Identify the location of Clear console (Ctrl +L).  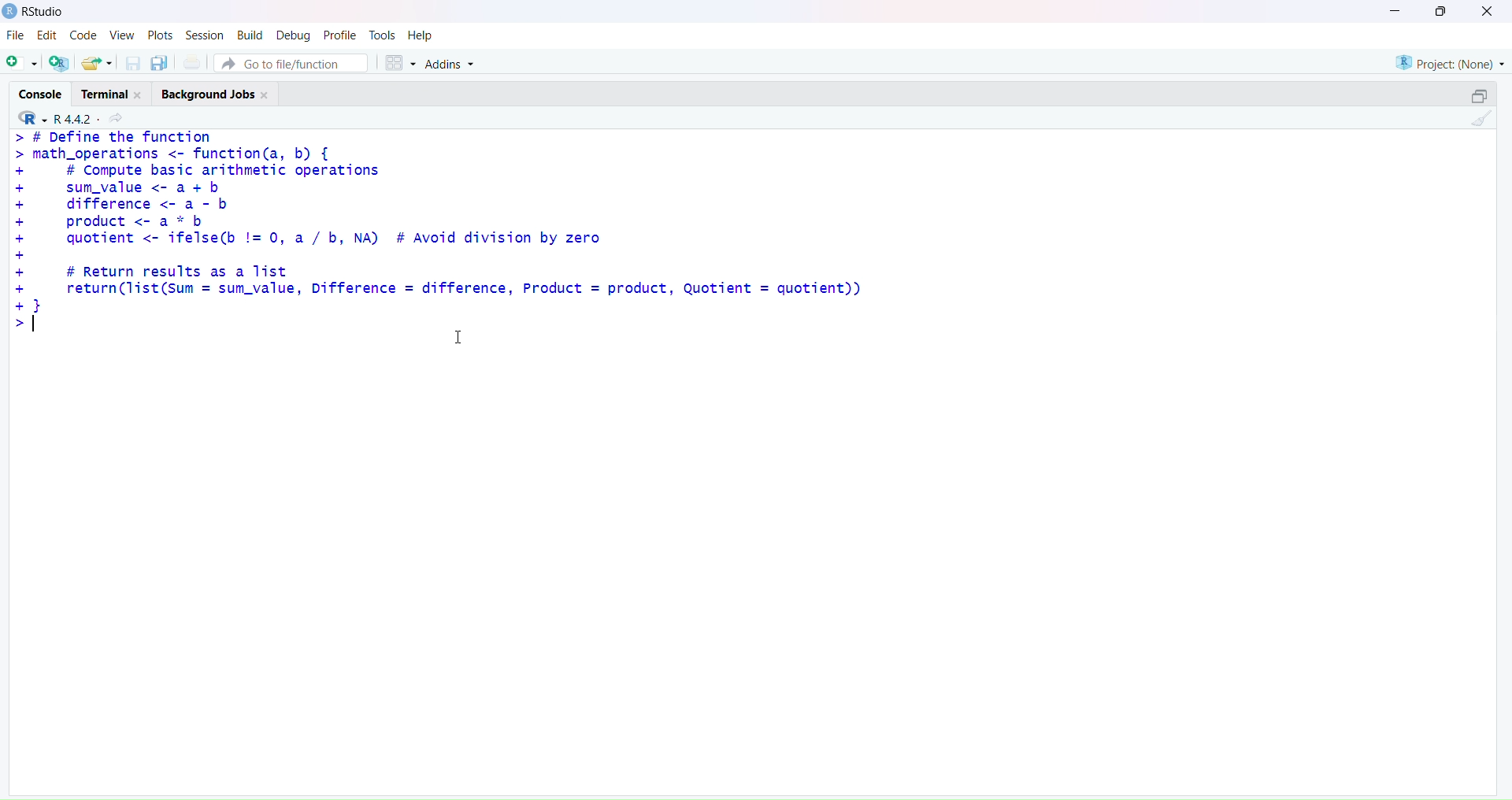
(1478, 122).